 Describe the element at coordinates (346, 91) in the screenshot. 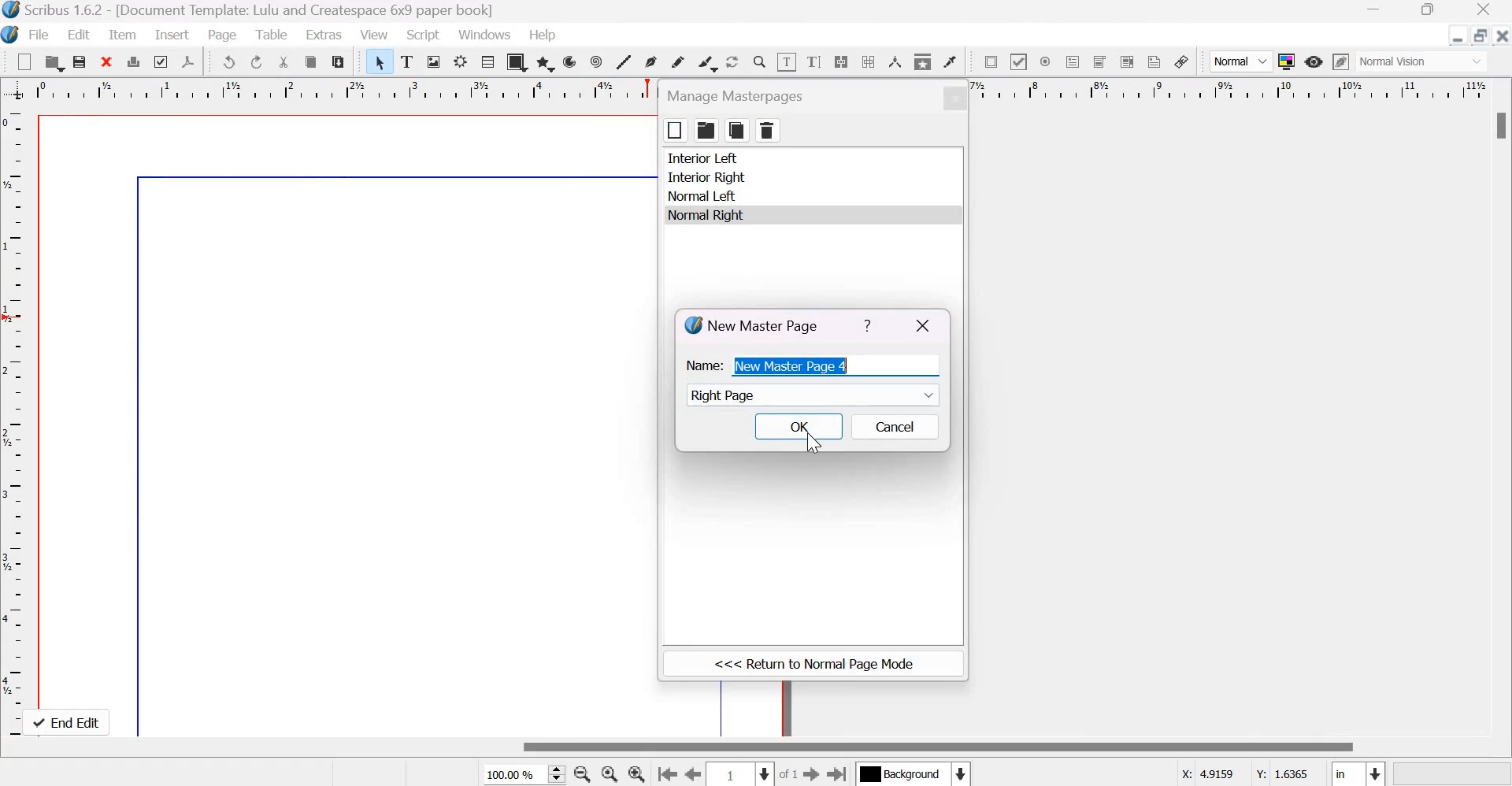

I see `horizontal scale` at that location.